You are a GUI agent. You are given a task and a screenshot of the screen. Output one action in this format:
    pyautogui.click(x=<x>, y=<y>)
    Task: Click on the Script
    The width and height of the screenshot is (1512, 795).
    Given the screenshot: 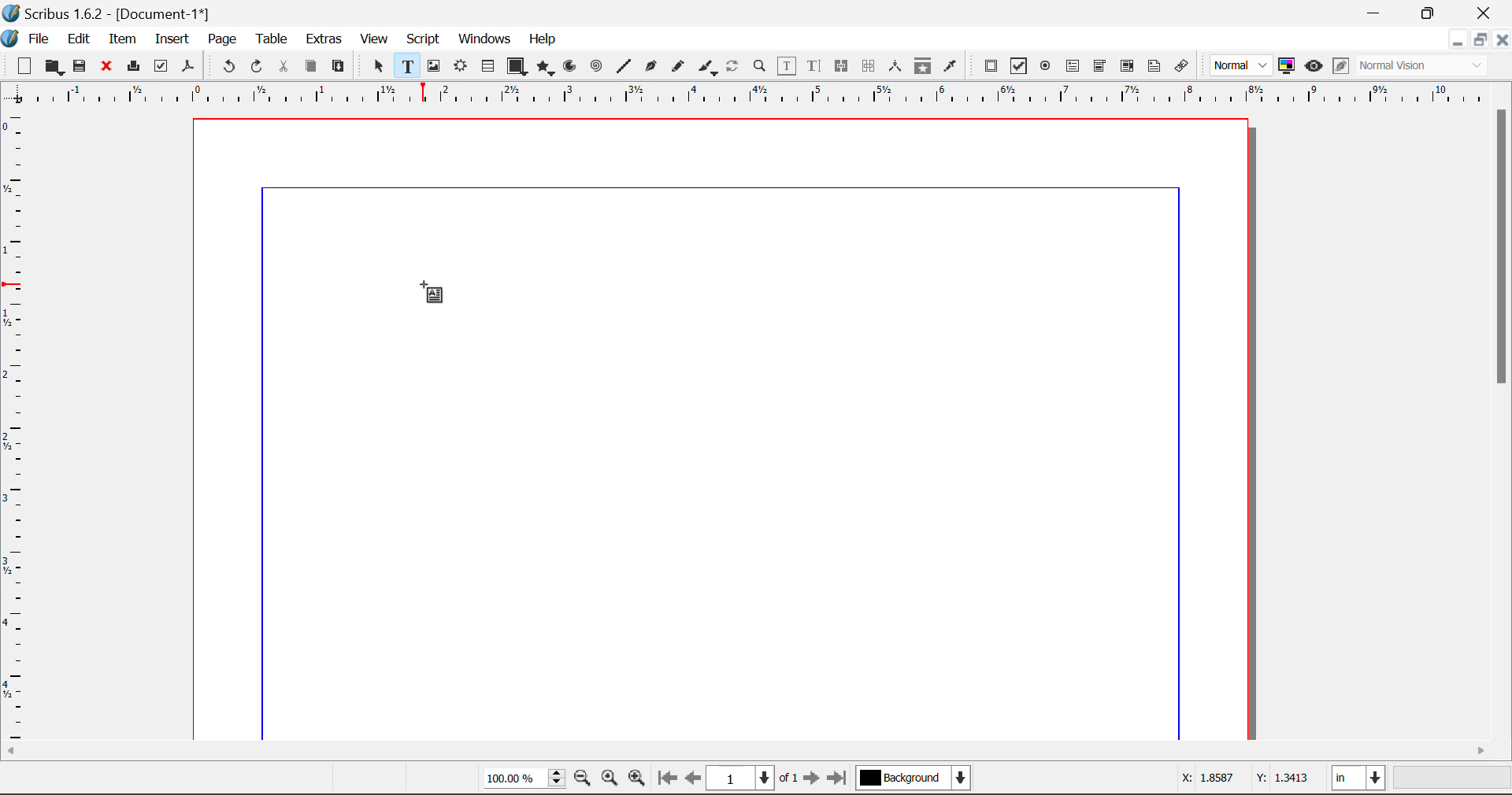 What is the action you would take?
    pyautogui.click(x=424, y=41)
    